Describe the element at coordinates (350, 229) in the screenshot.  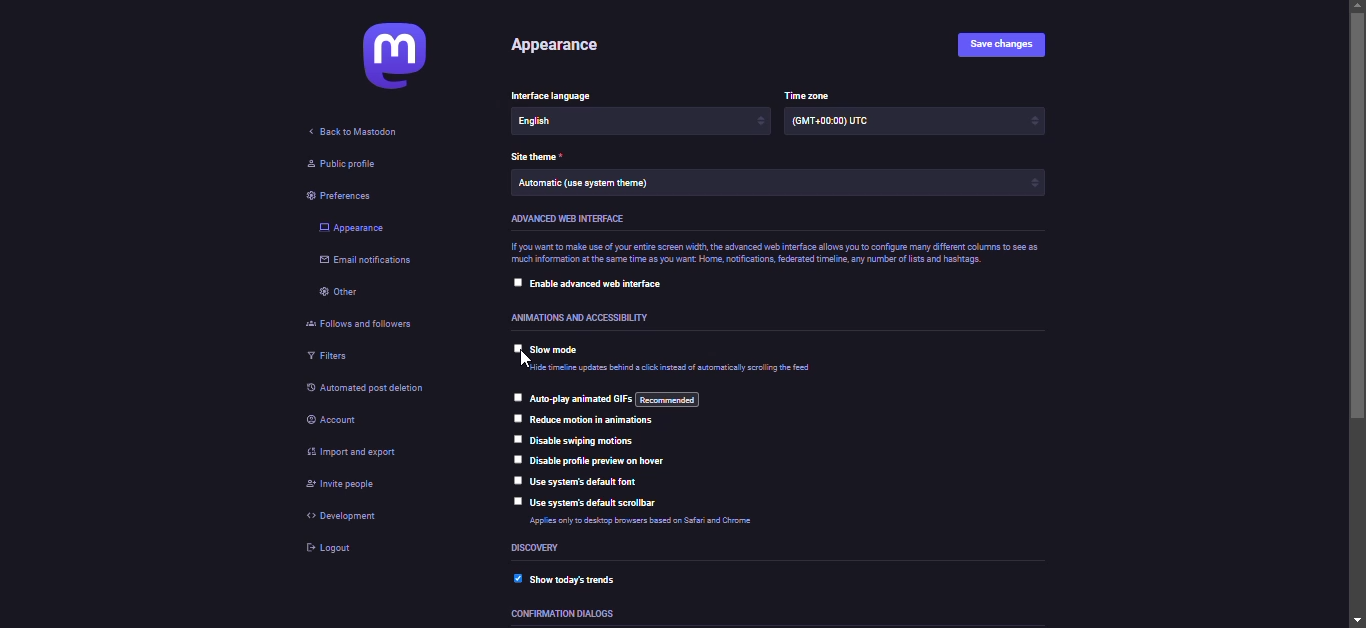
I see `appearance` at that location.